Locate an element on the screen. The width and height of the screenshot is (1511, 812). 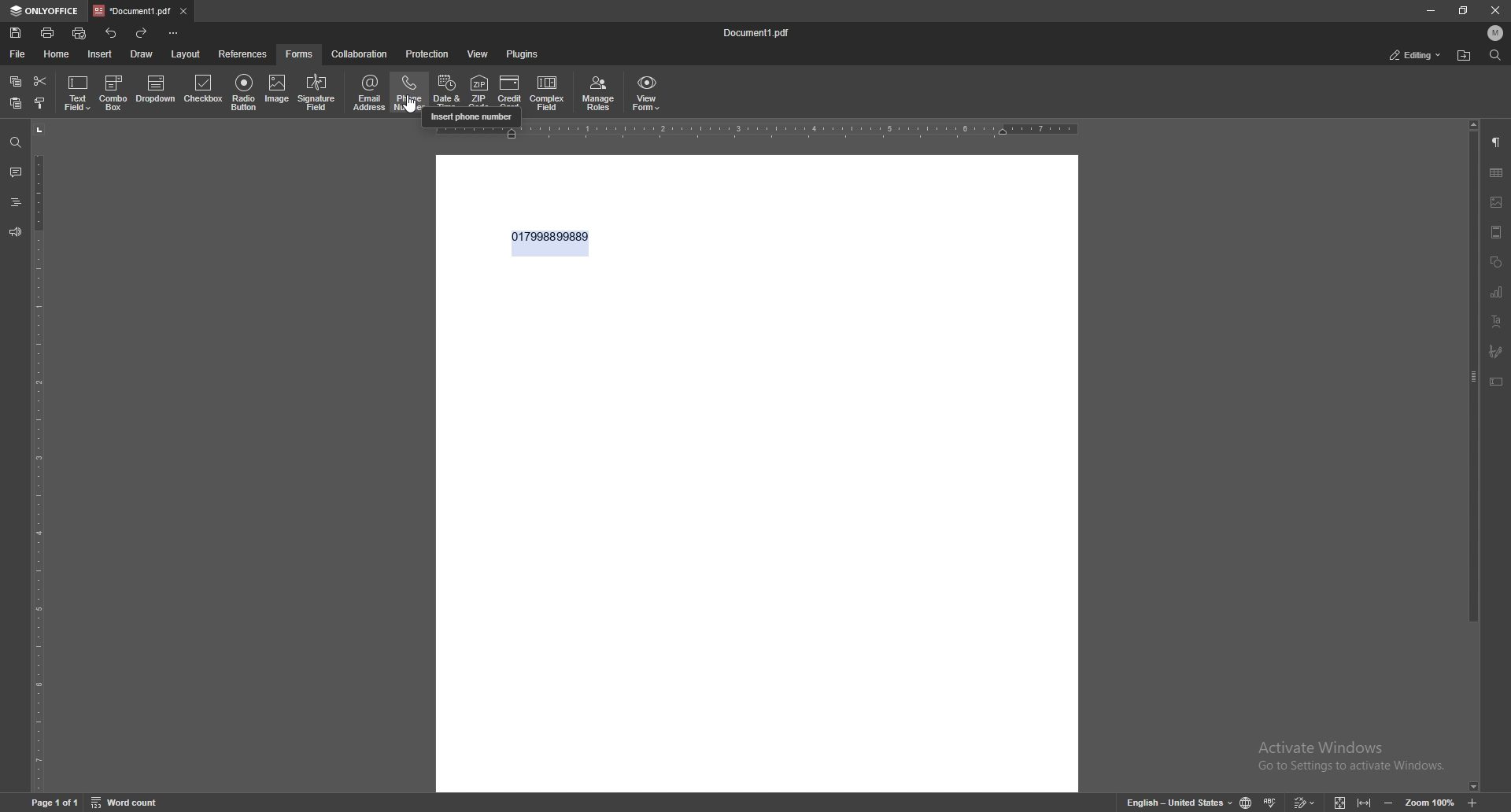
onlyoffice is located at coordinates (46, 11).